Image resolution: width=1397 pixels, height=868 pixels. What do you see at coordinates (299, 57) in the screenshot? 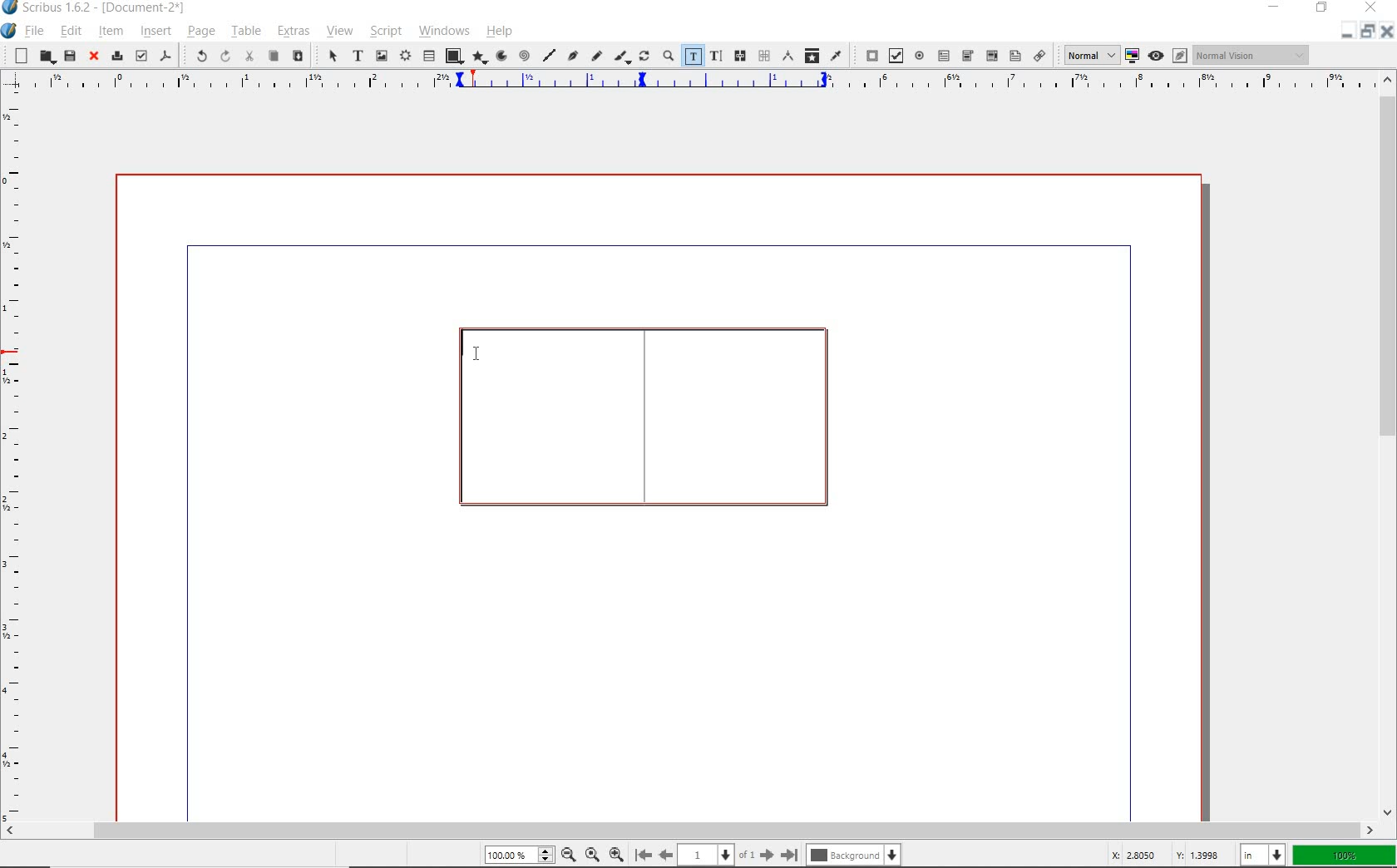
I see `paste` at bounding box center [299, 57].